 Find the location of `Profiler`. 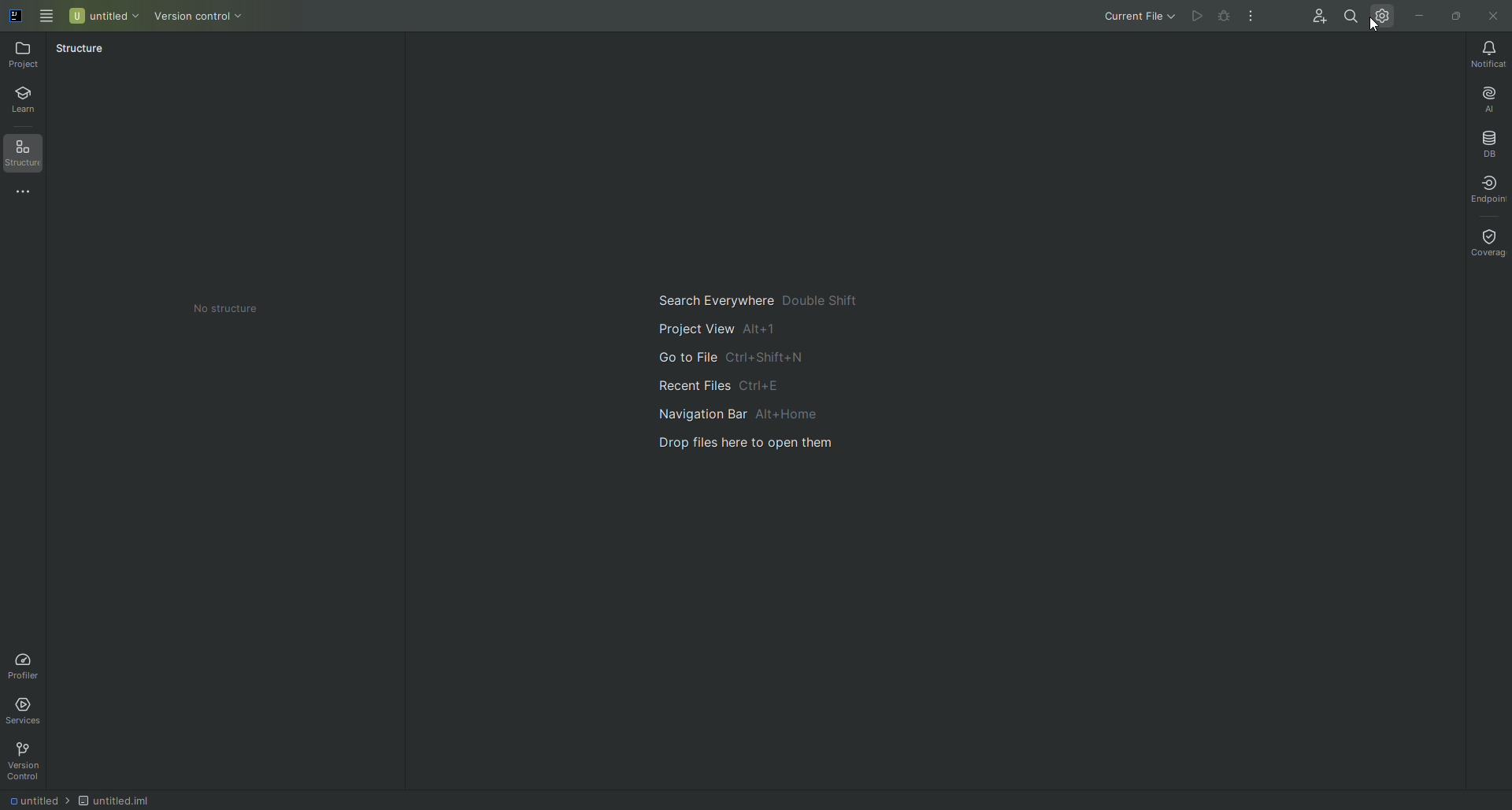

Profiler is located at coordinates (28, 663).